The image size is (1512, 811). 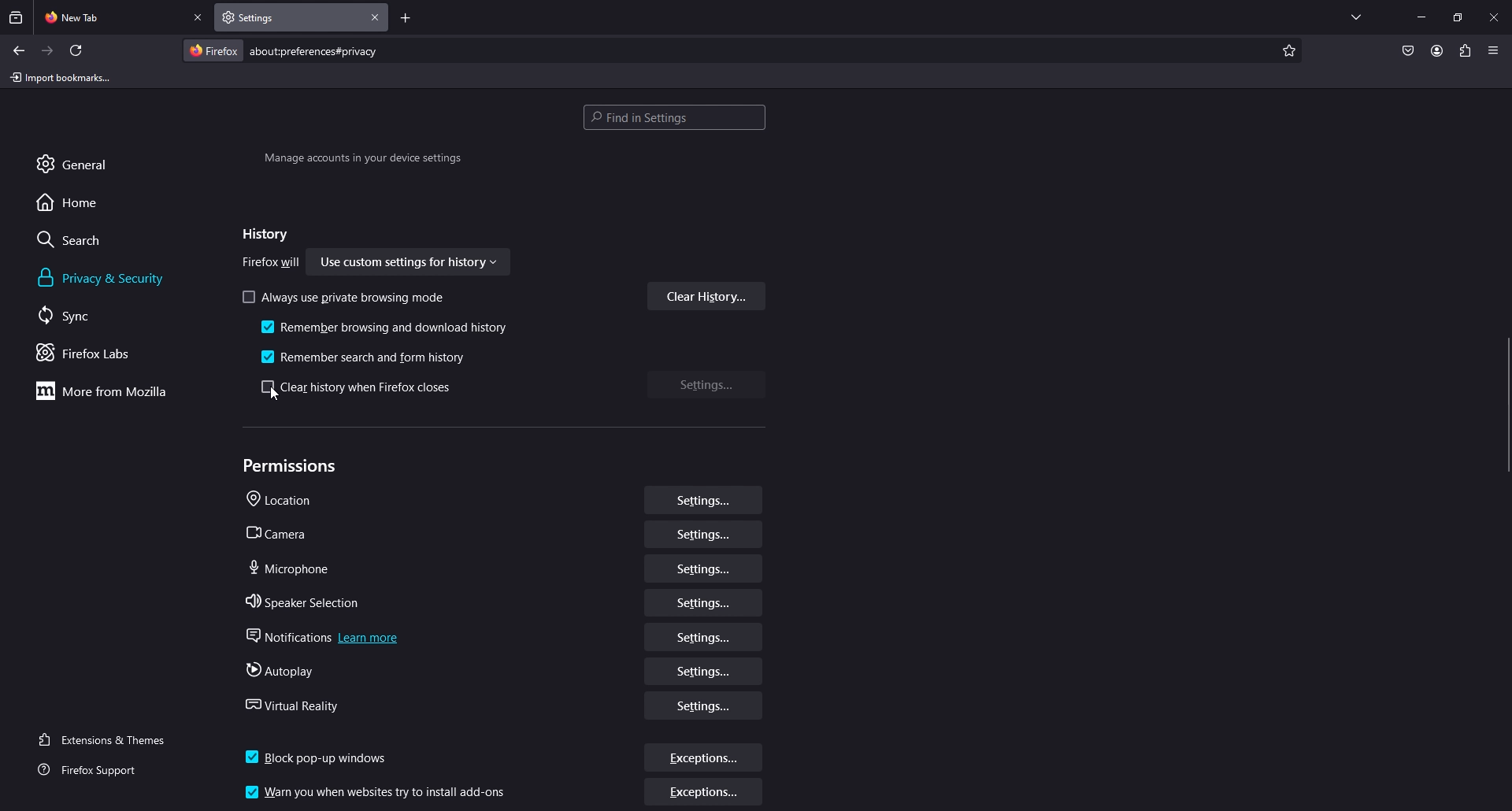 I want to click on warn you when websites try install add ons, so click(x=380, y=791).